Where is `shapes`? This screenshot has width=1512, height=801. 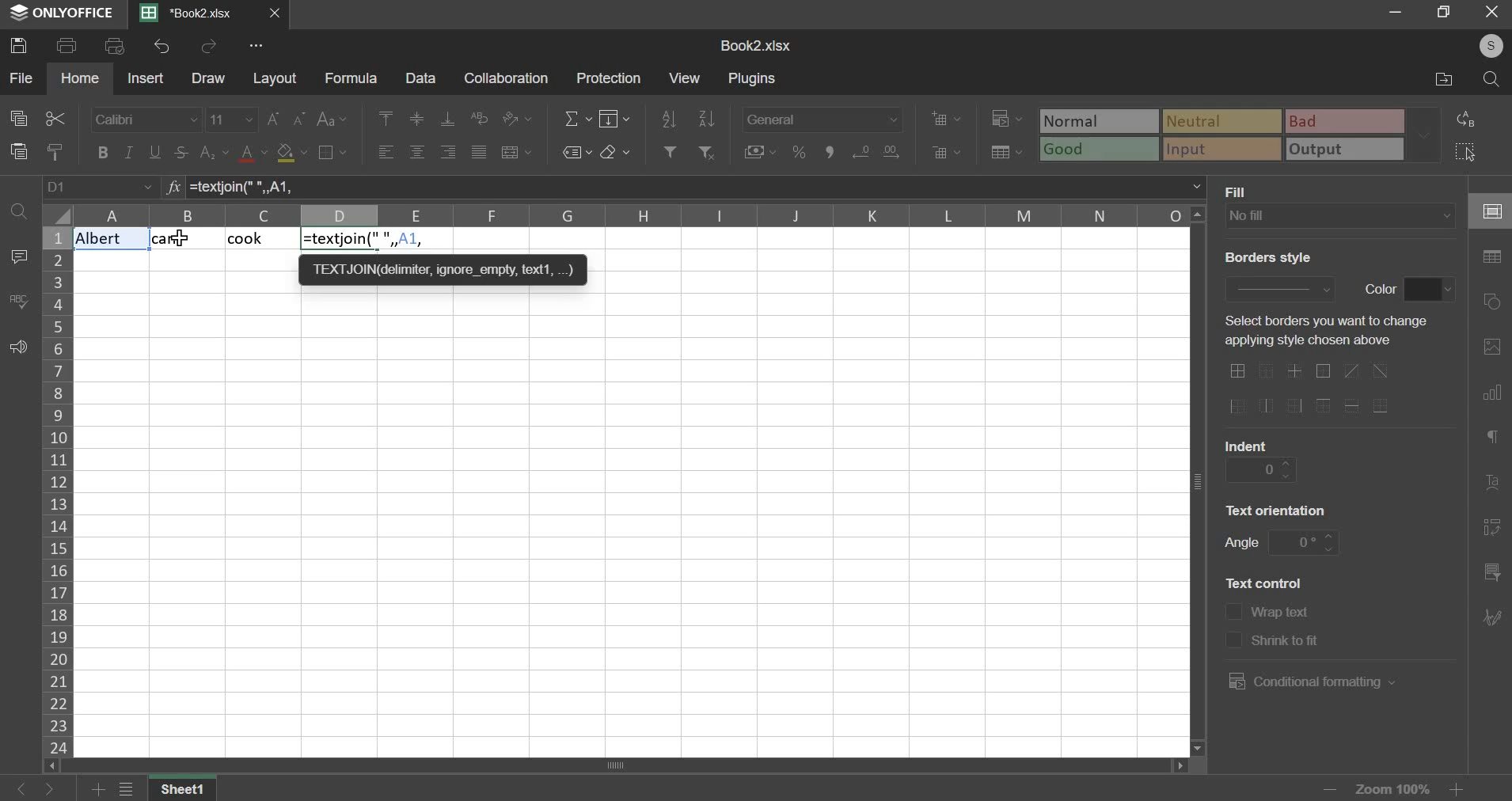 shapes is located at coordinates (1495, 302).